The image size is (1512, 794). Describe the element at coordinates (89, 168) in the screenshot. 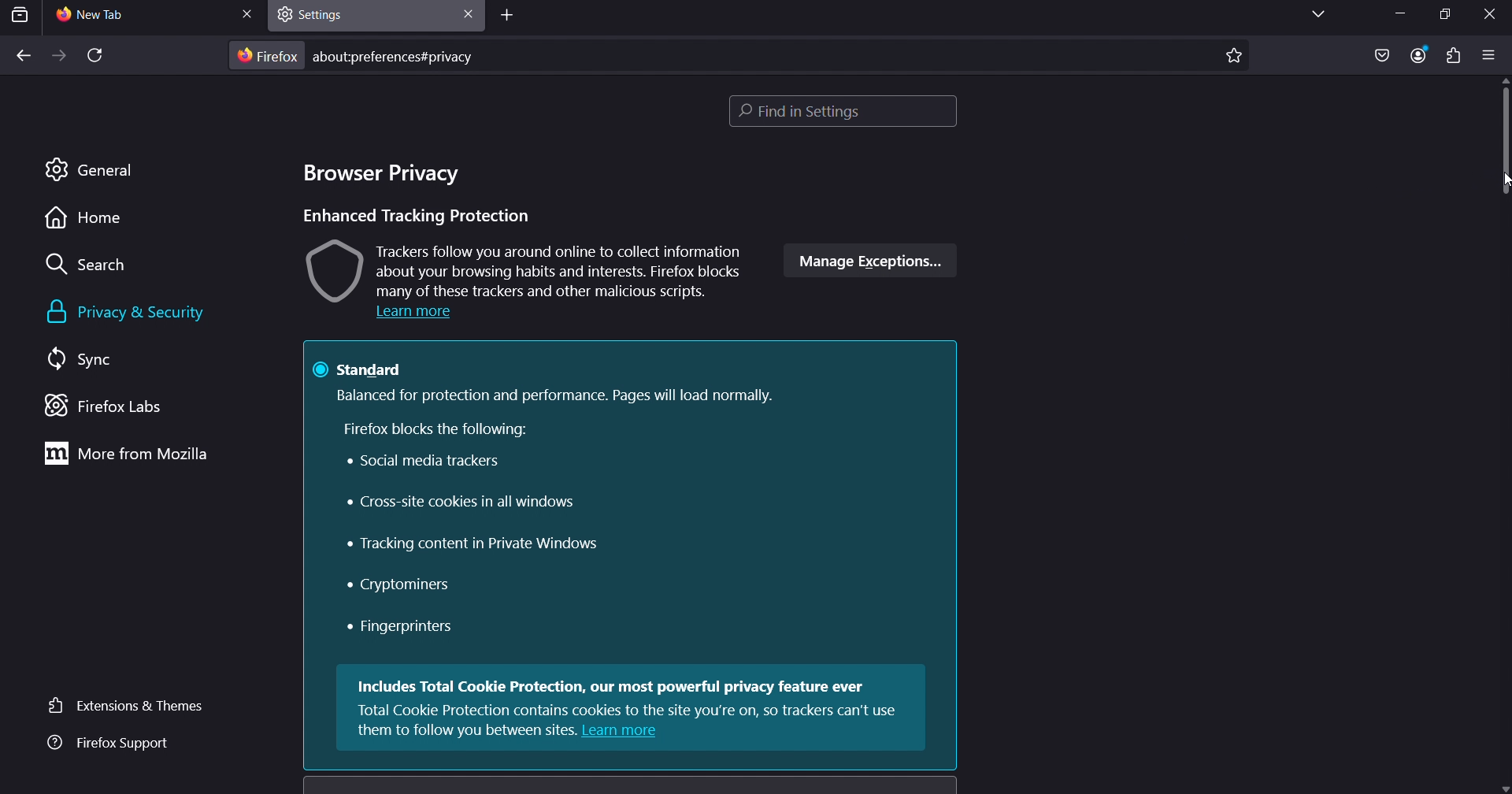

I see `general` at that location.